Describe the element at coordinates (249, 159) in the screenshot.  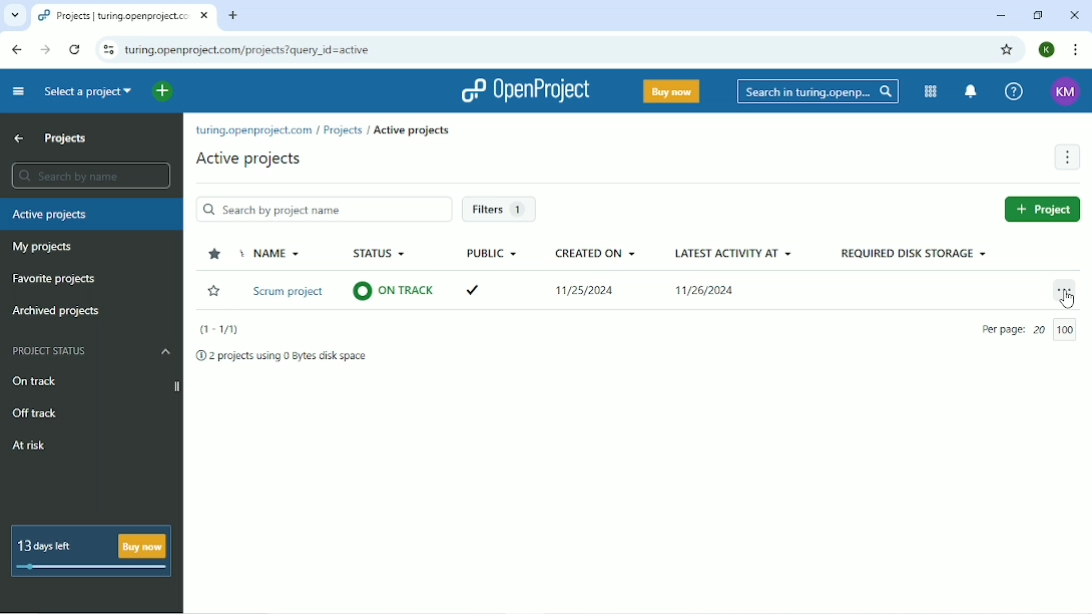
I see `Active projects` at that location.